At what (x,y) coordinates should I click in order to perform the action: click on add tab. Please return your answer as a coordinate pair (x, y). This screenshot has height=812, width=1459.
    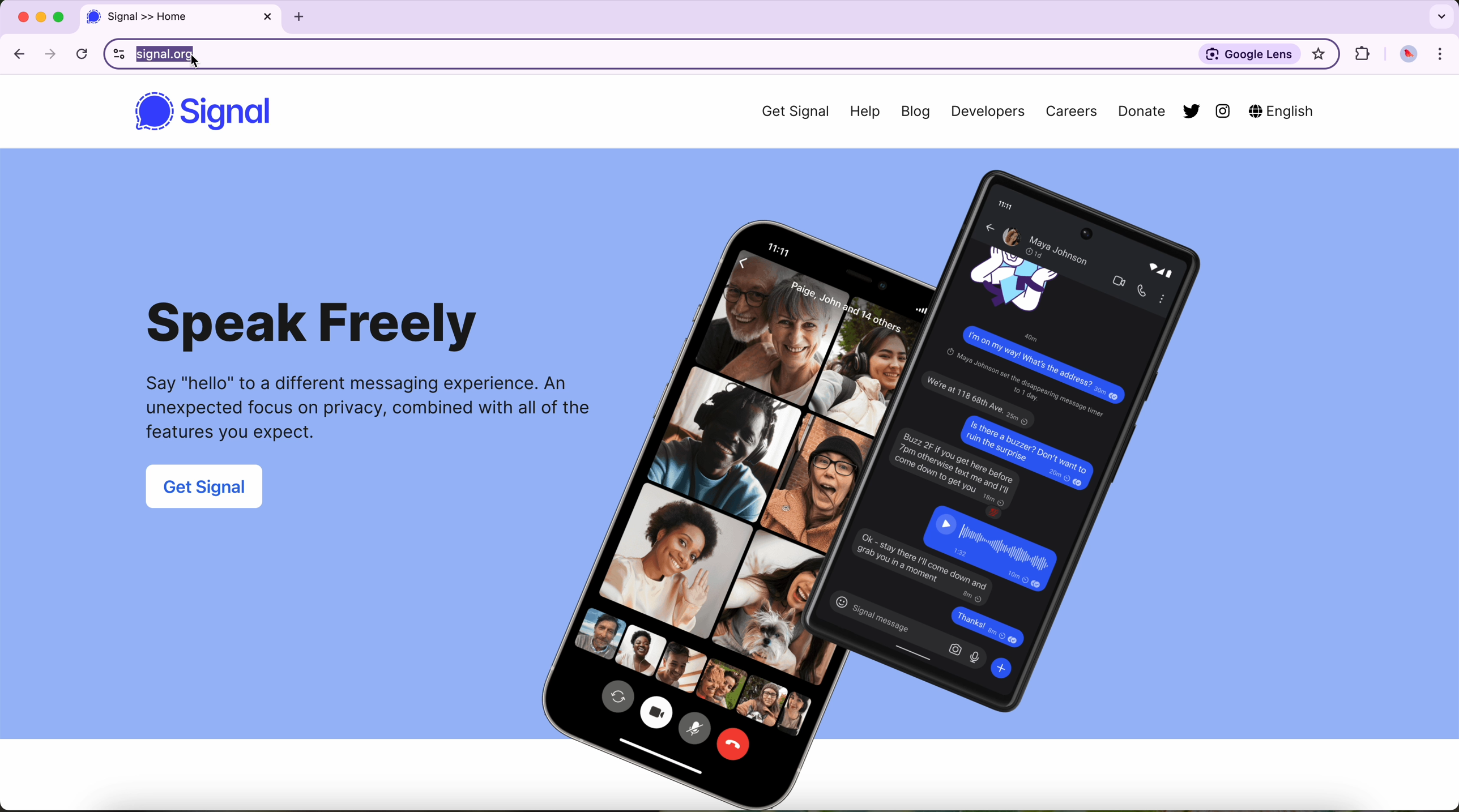
    Looking at the image, I should click on (298, 19).